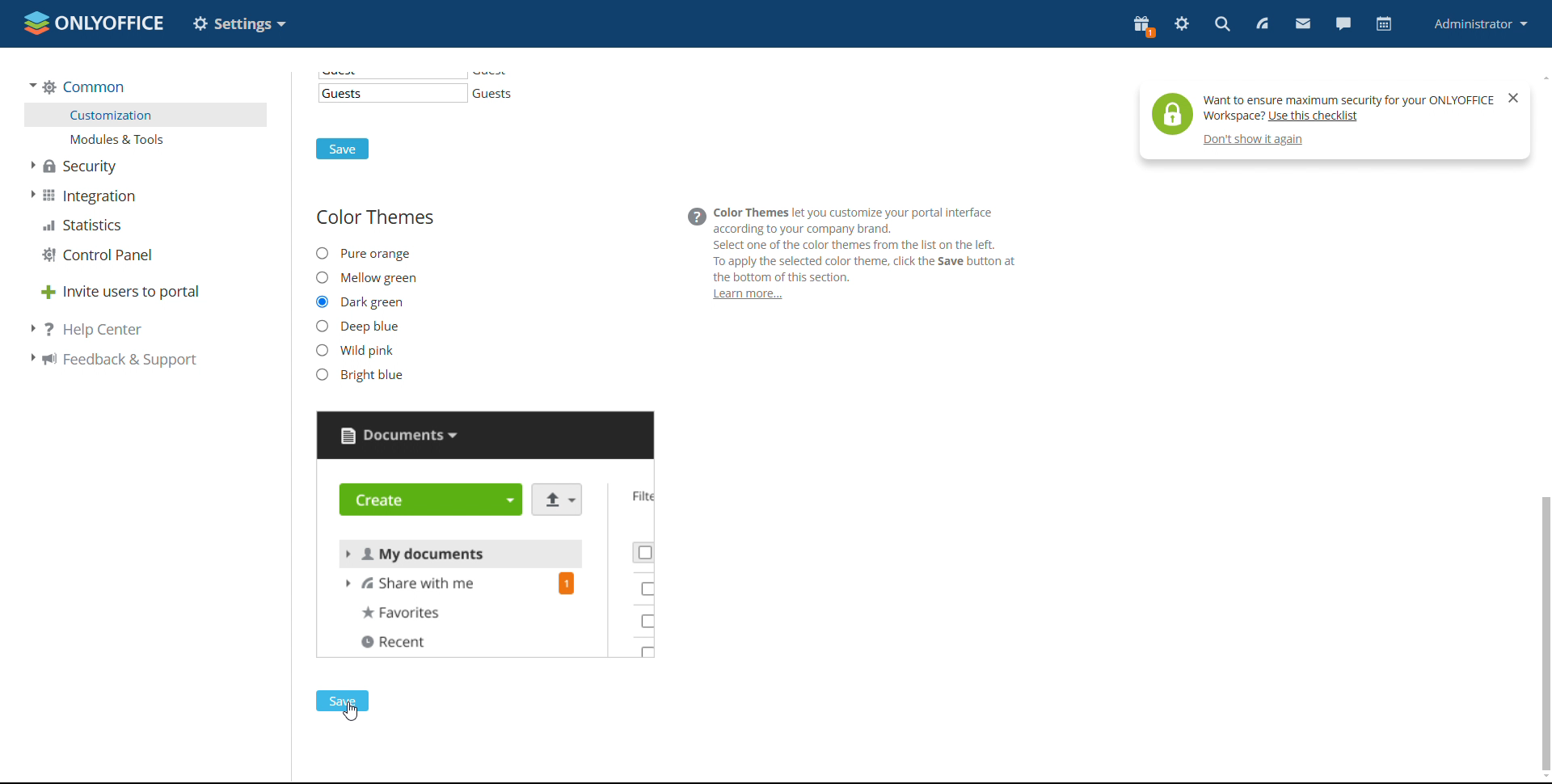  I want to click on feed, so click(1261, 24).